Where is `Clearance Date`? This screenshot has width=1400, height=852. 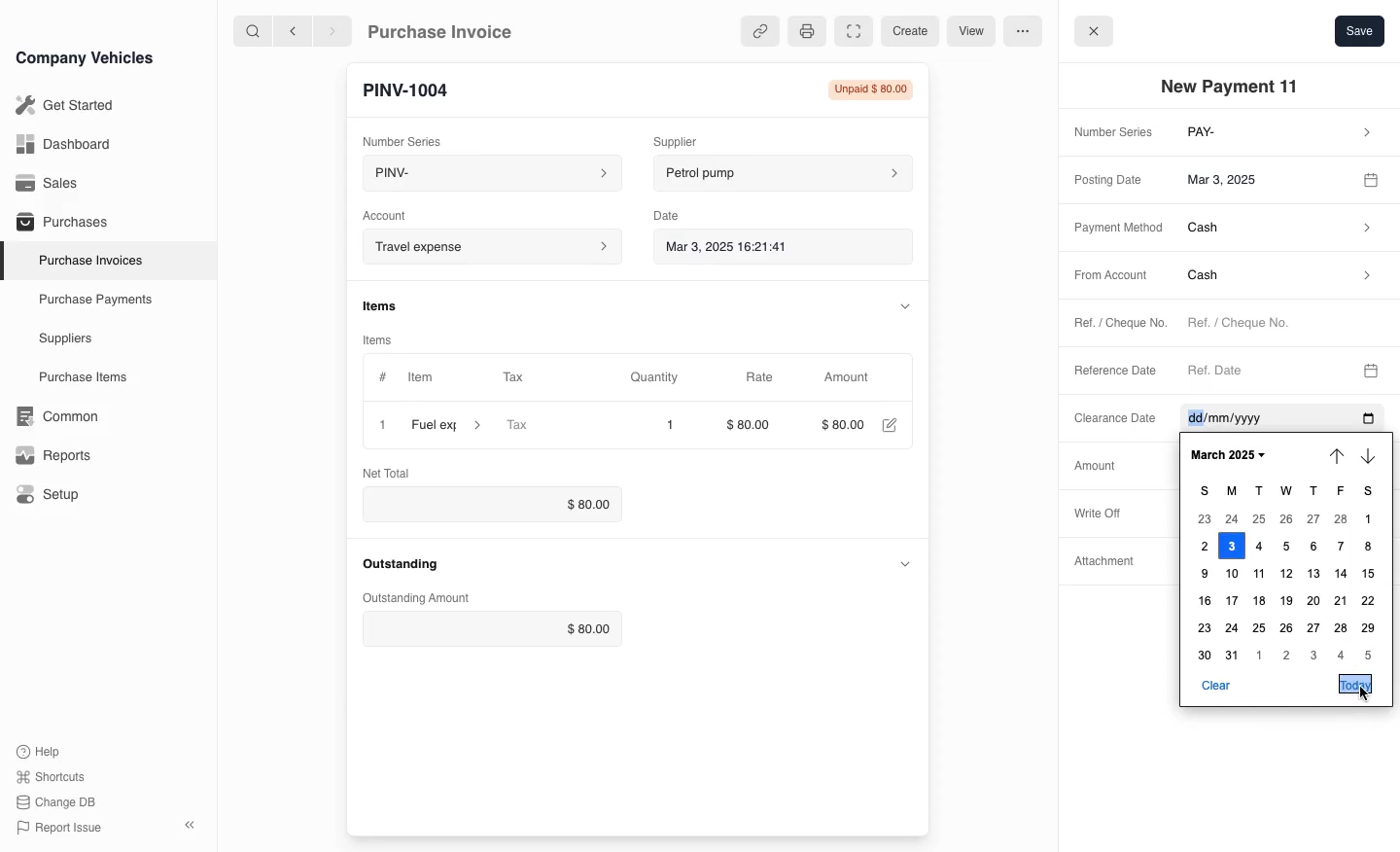 Clearance Date is located at coordinates (1255, 419).